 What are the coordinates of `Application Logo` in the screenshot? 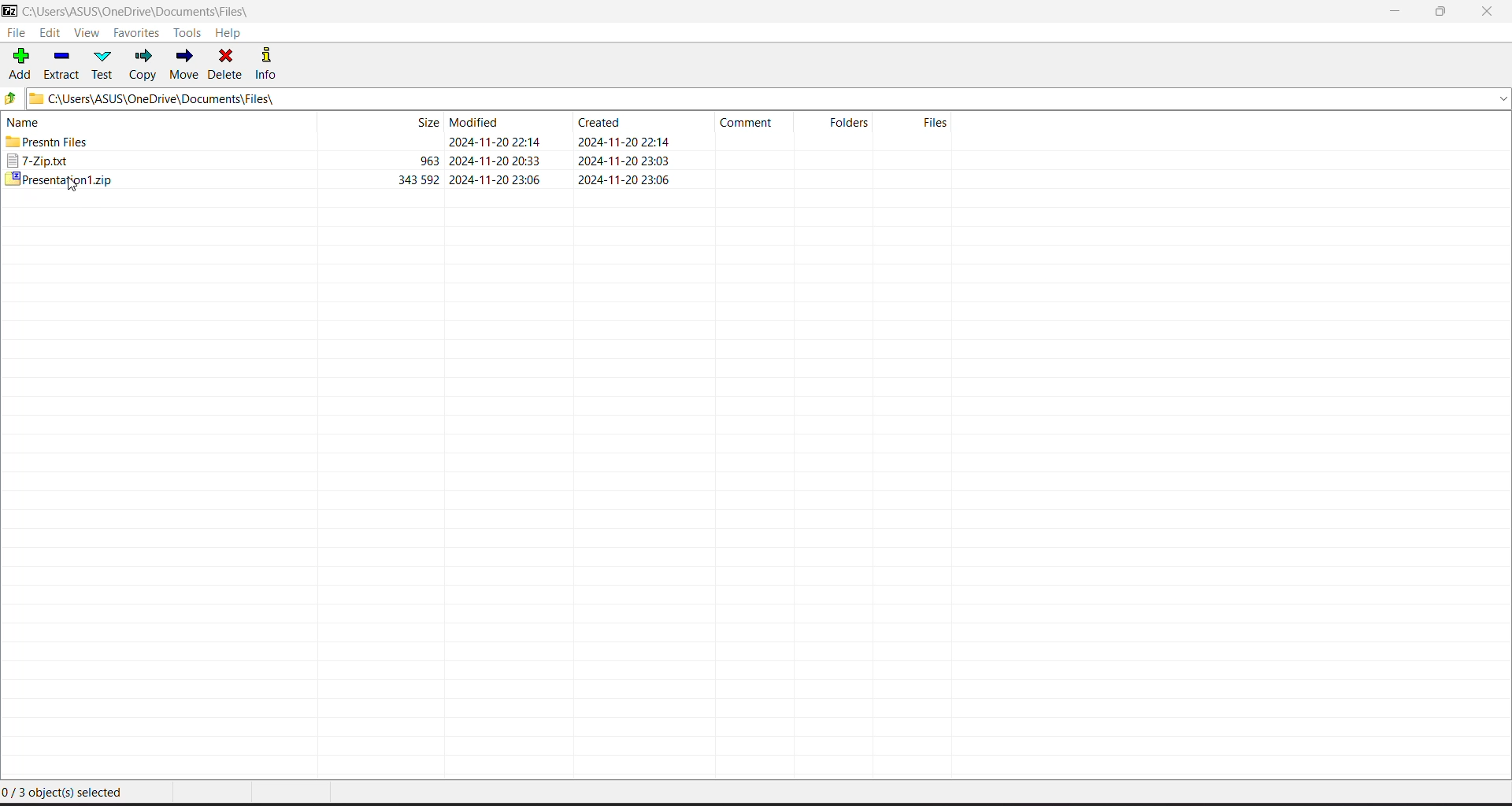 It's located at (9, 12).